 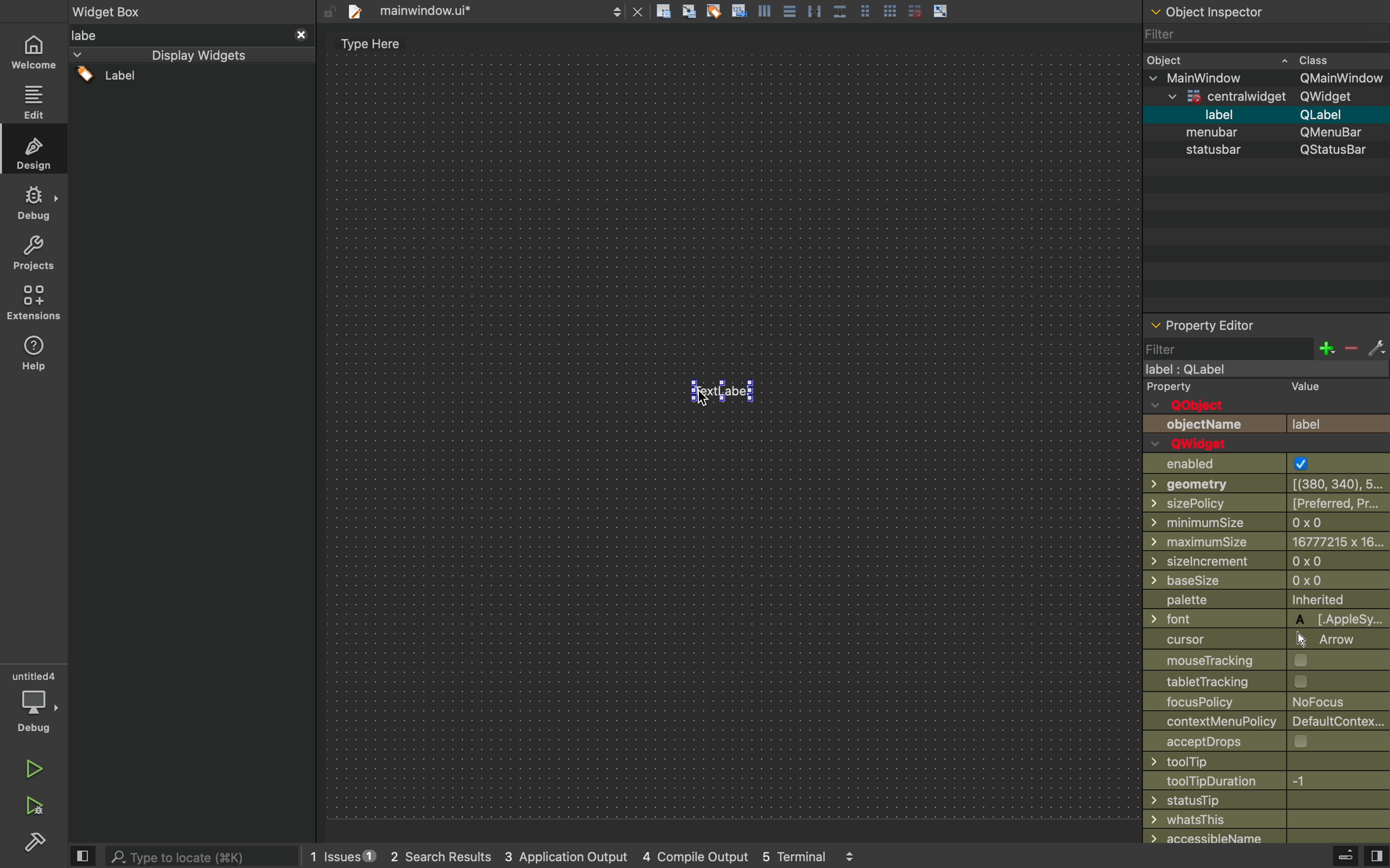 What do you see at coordinates (191, 56) in the screenshot?
I see `layouts` at bounding box center [191, 56].